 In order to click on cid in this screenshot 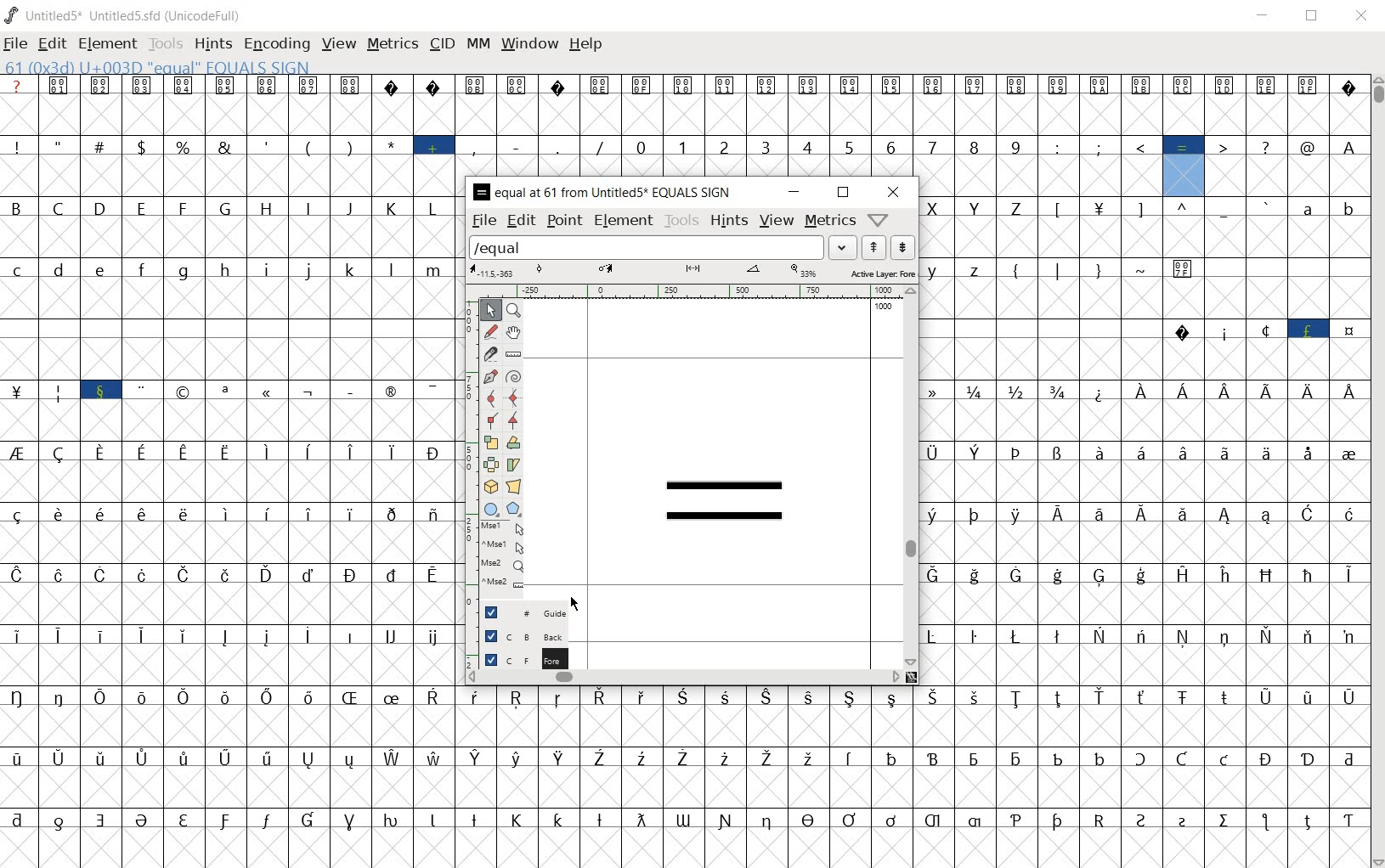, I will do `click(441, 42)`.